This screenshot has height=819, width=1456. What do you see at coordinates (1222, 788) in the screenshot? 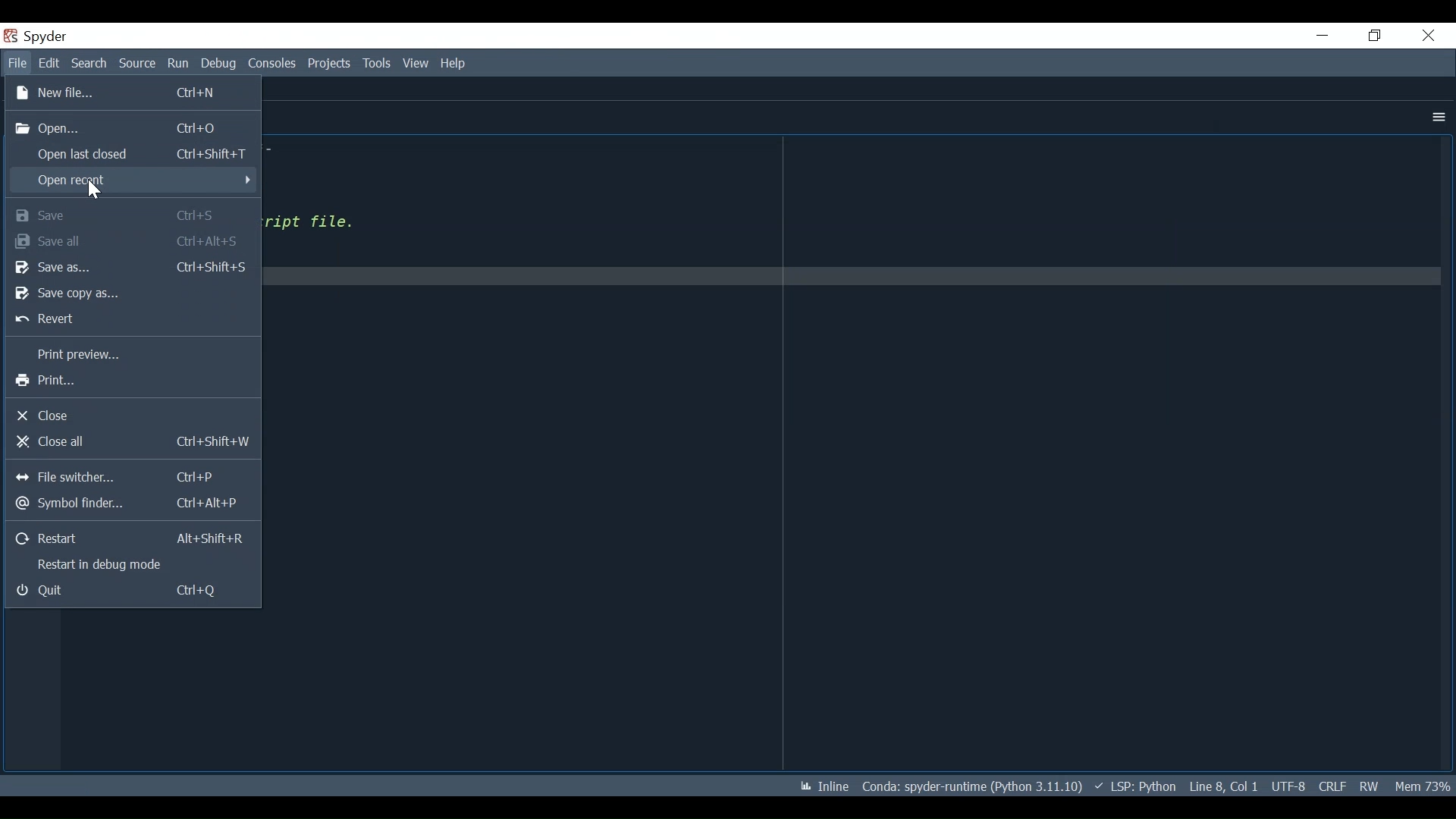
I see `Line 8, Col 1` at bounding box center [1222, 788].